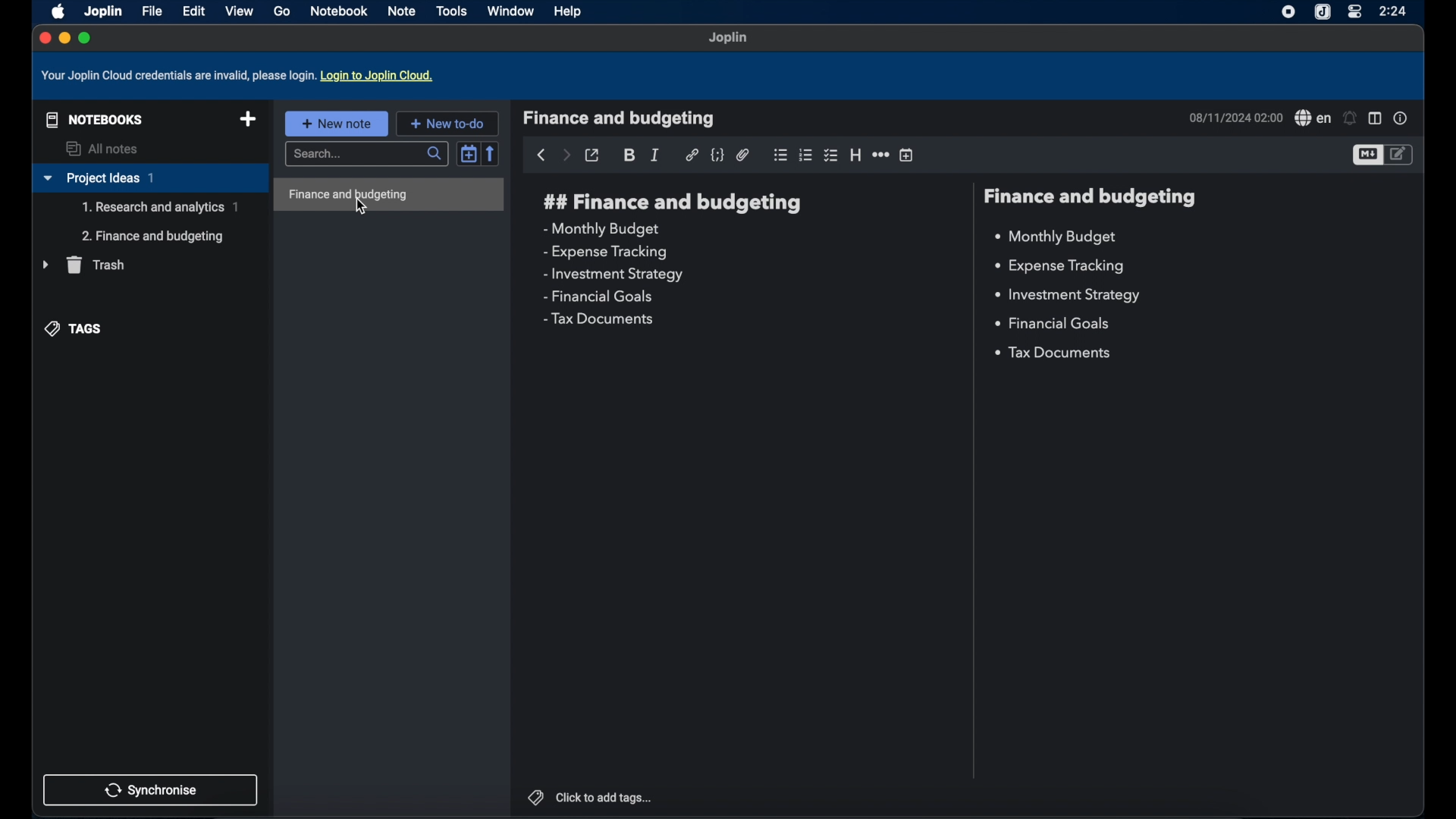 The width and height of the screenshot is (1456, 819). What do you see at coordinates (83, 265) in the screenshot?
I see `trash menu` at bounding box center [83, 265].